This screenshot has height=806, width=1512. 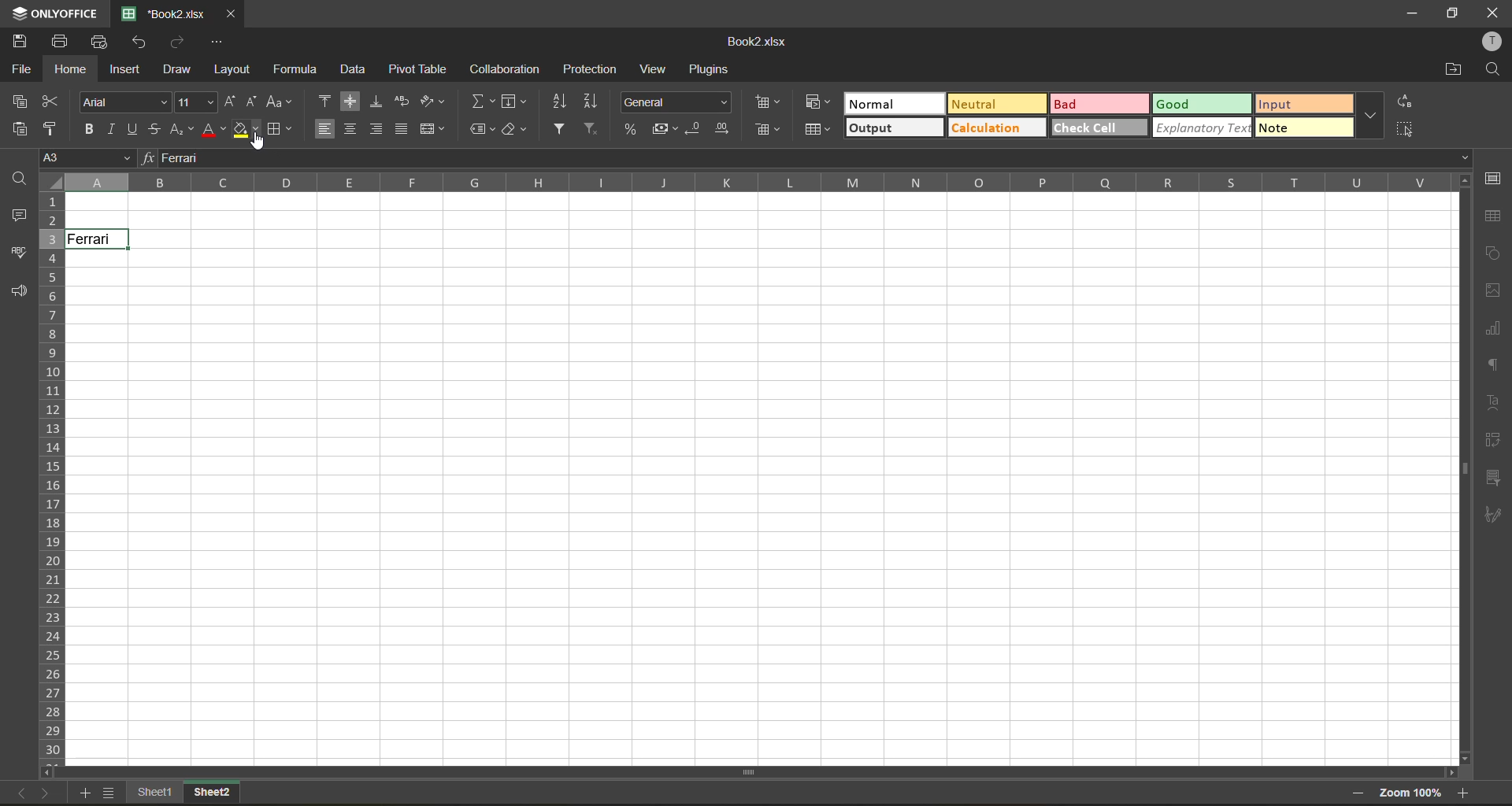 I want to click on feedback, so click(x=17, y=293).